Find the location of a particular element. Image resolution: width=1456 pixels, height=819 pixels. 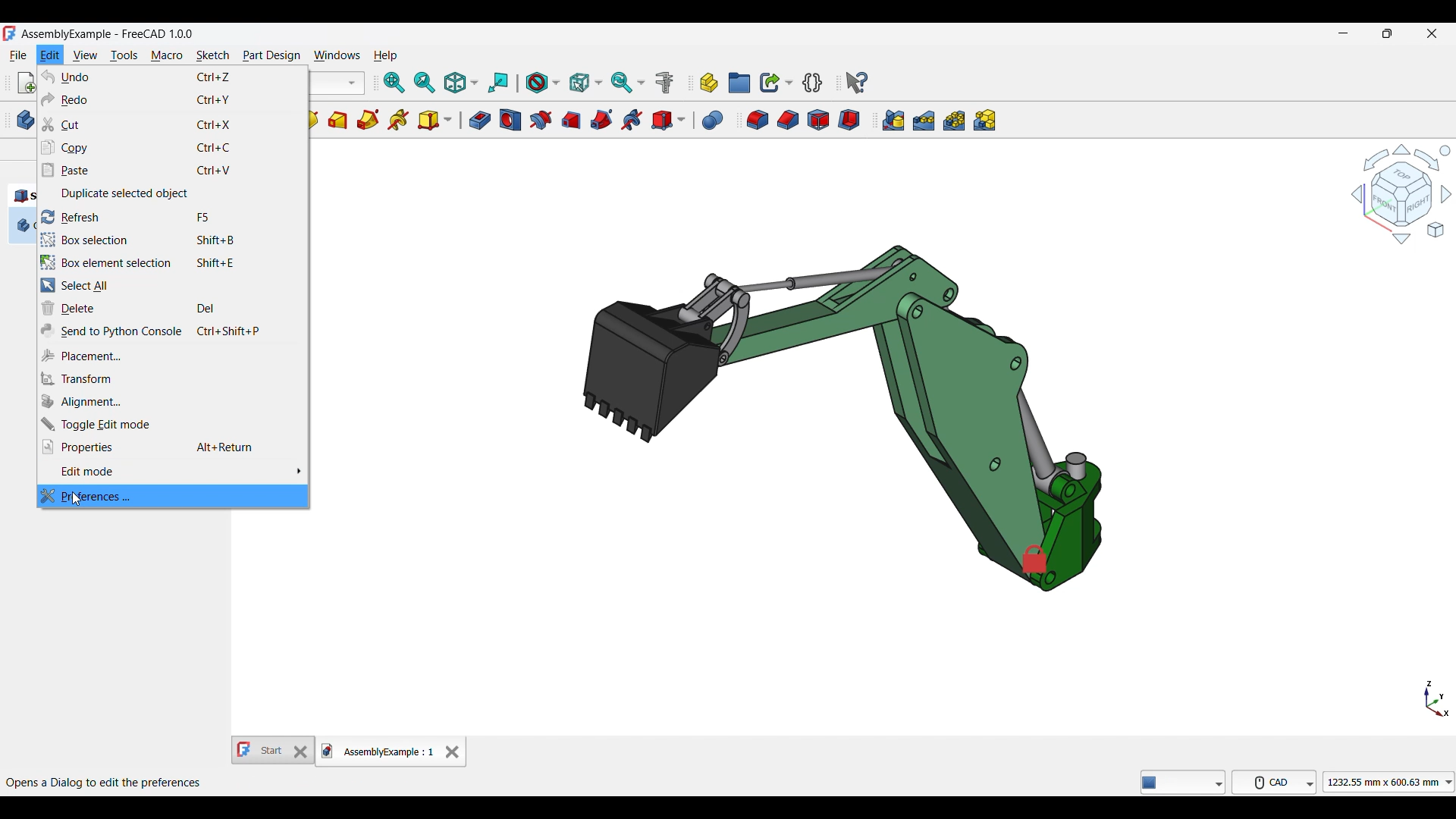

Help menu is located at coordinates (386, 56).